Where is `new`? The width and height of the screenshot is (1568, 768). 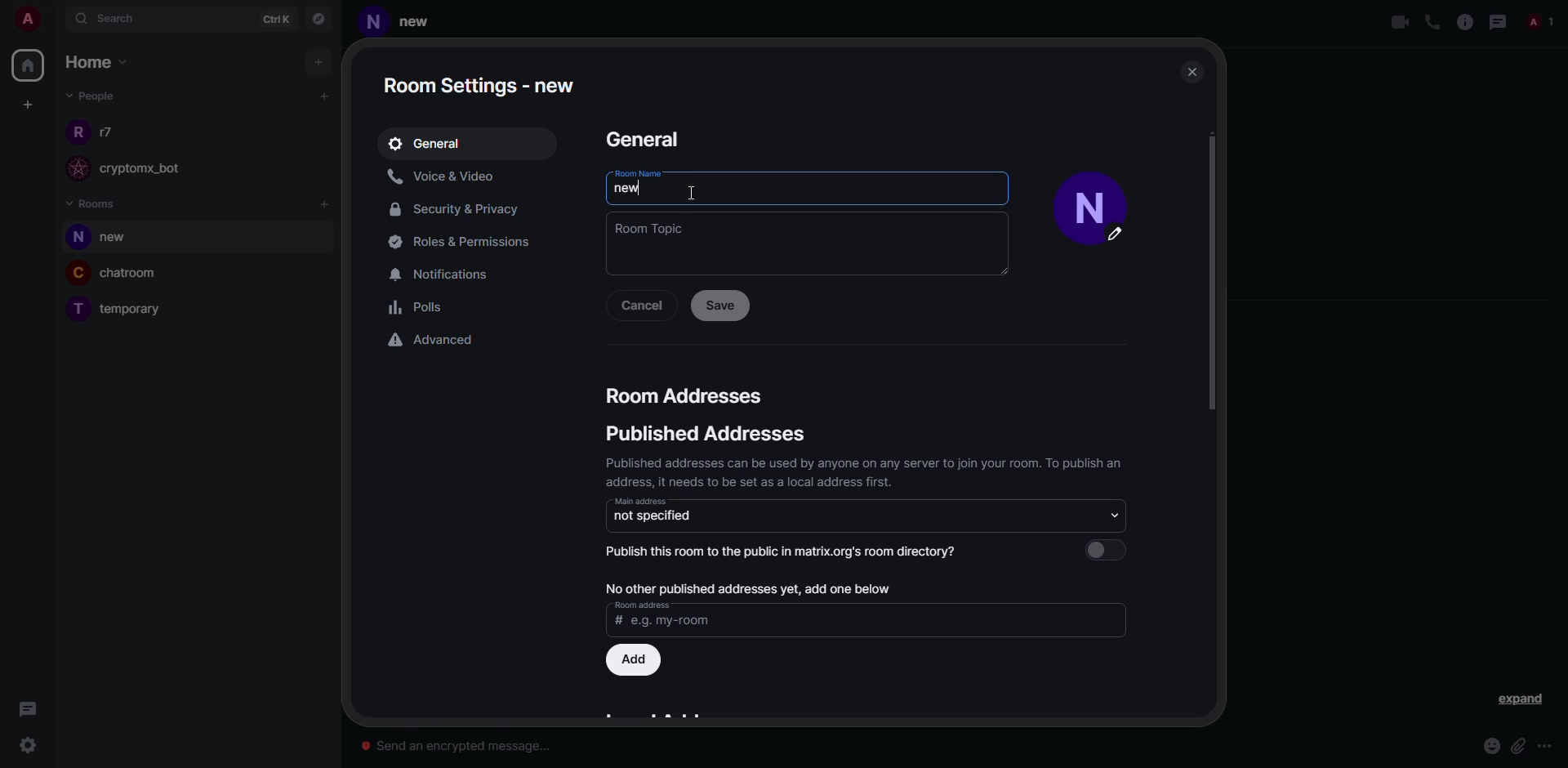
new is located at coordinates (626, 189).